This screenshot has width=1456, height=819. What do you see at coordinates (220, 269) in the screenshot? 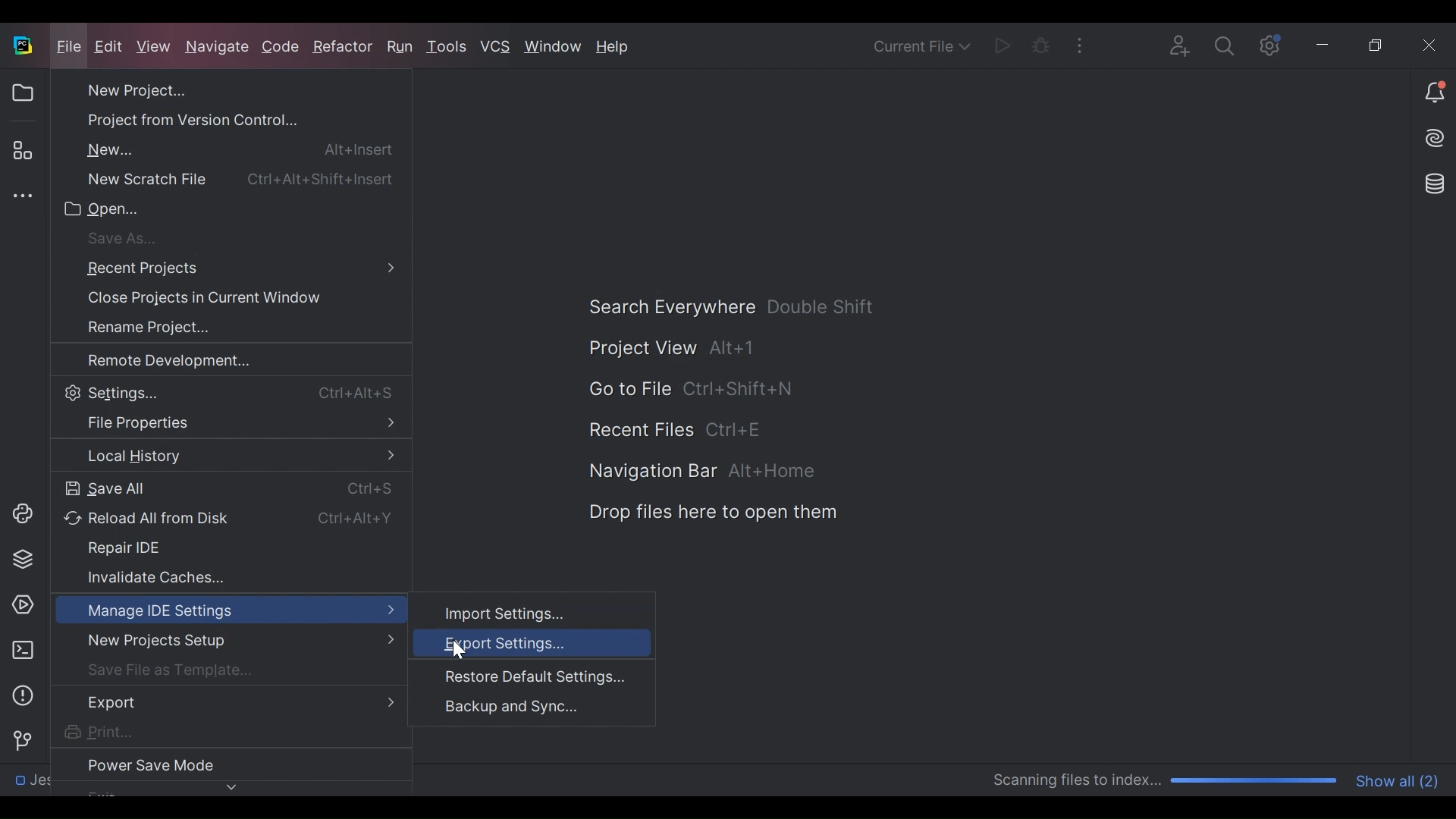
I see `Recent Projects` at bounding box center [220, 269].